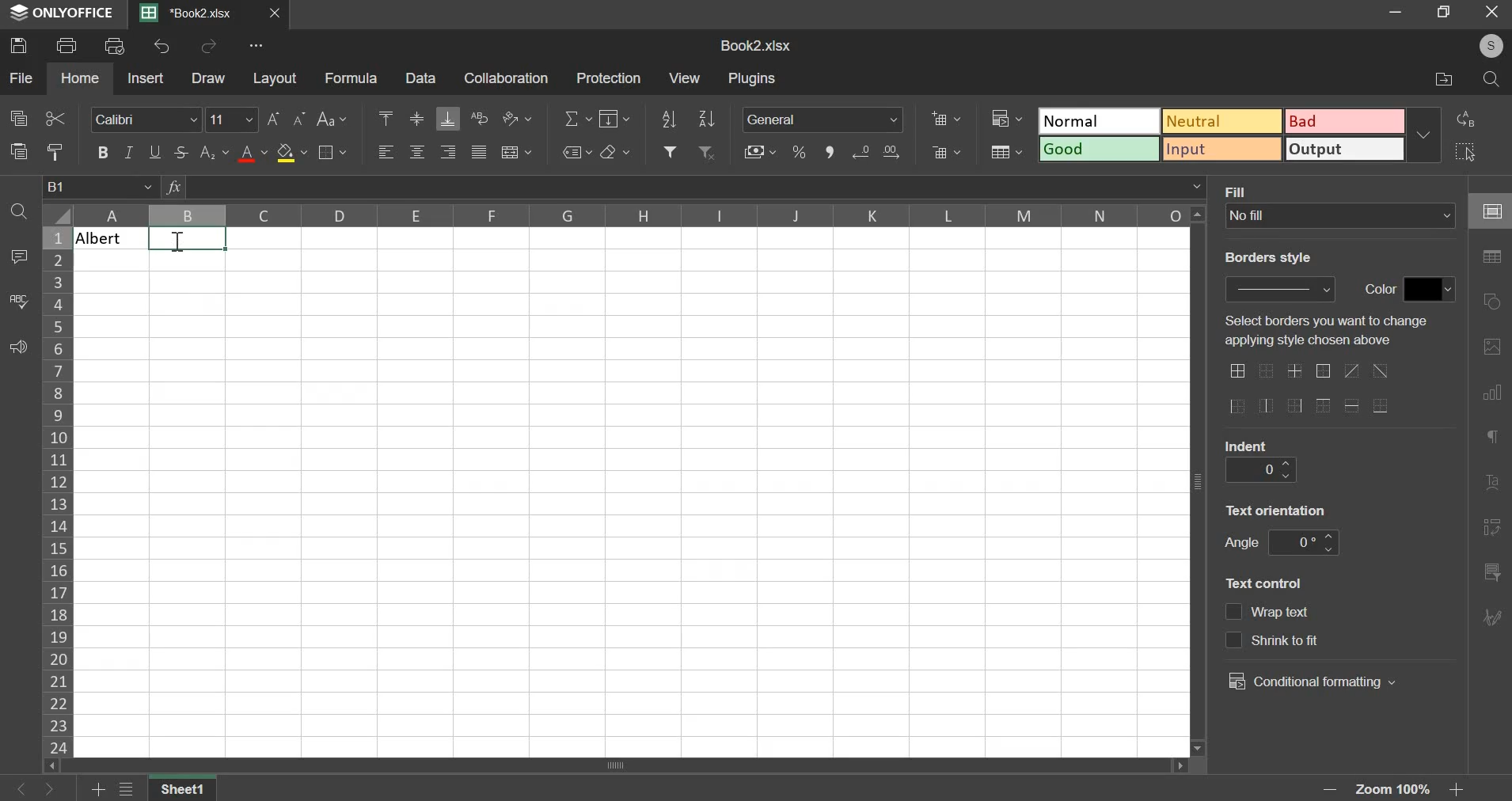  Describe the element at coordinates (1495, 480) in the screenshot. I see `text art settings` at that location.